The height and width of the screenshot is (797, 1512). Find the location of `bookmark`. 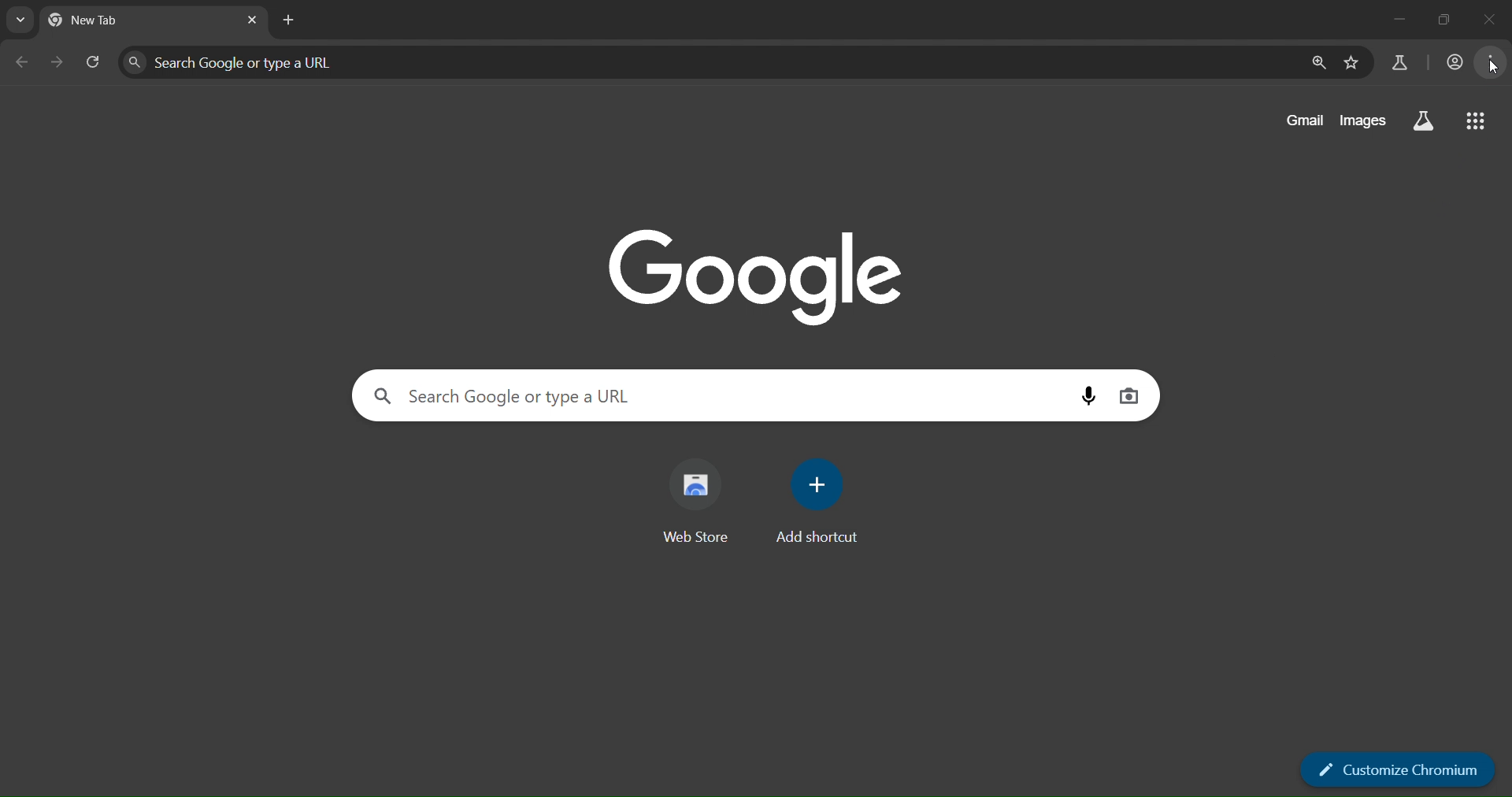

bookmark is located at coordinates (1351, 63).